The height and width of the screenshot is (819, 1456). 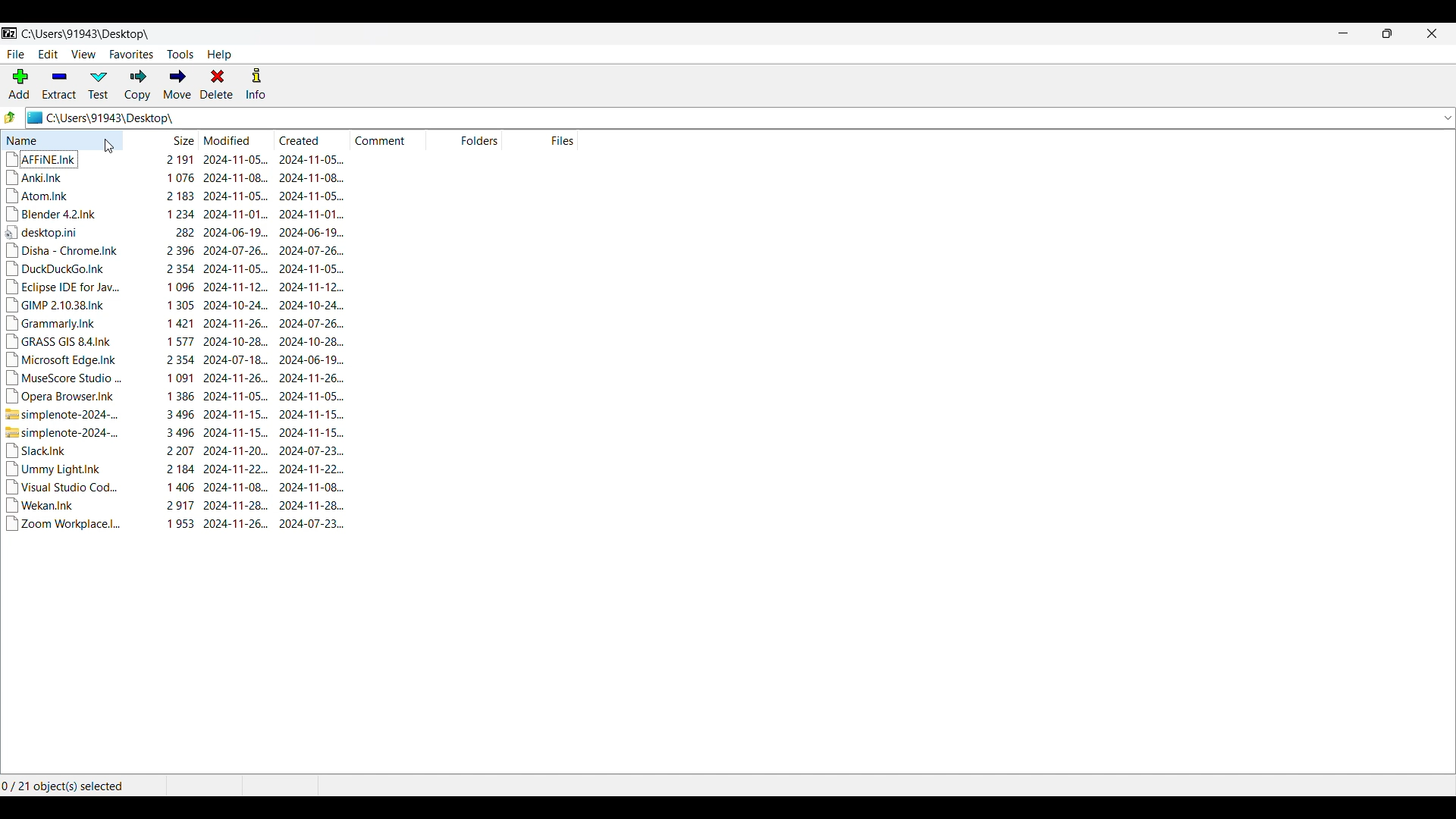 What do you see at coordinates (477, 140) in the screenshot?
I see `Folders` at bounding box center [477, 140].